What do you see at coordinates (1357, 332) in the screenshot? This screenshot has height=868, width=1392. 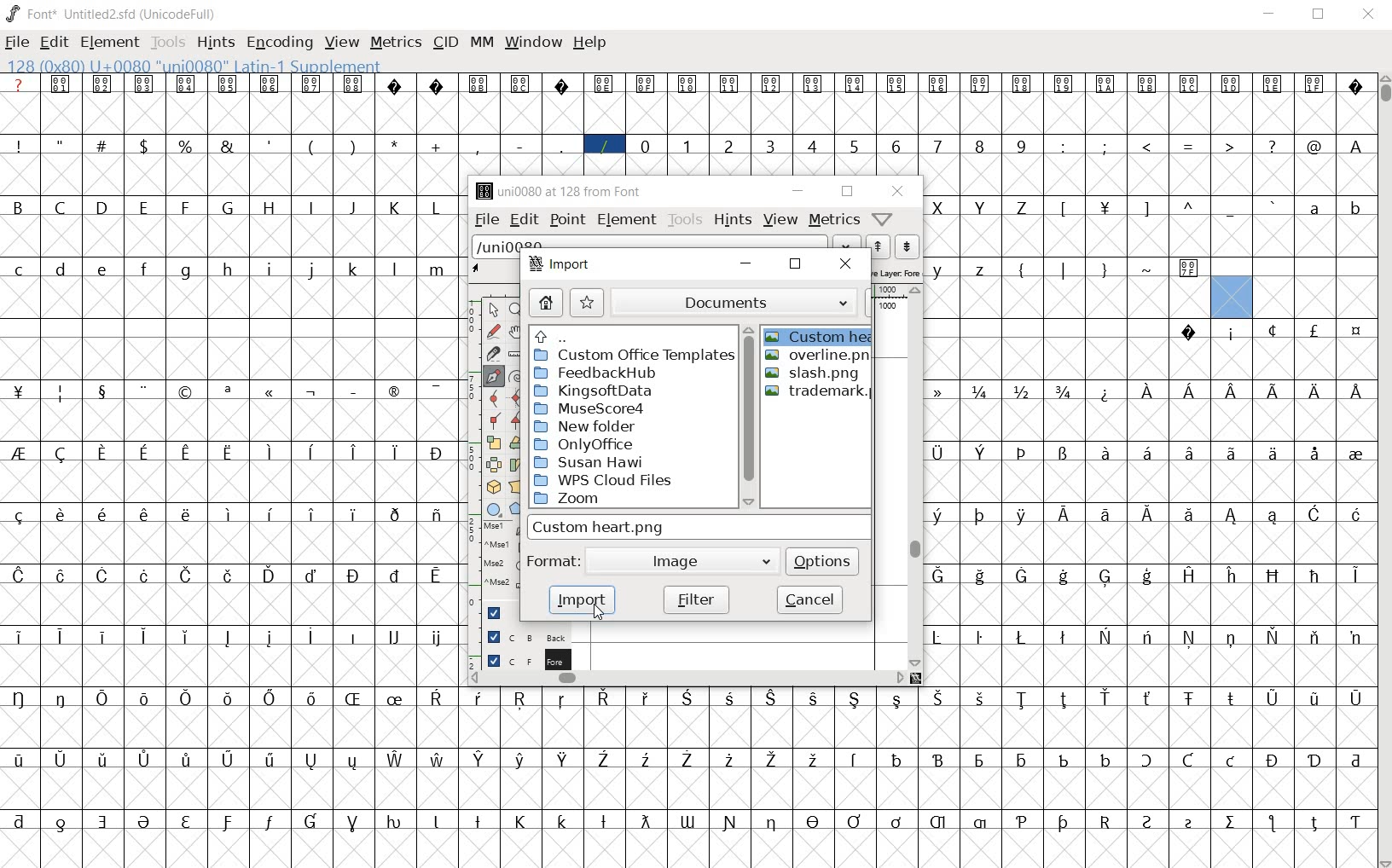 I see `glyph` at bounding box center [1357, 332].